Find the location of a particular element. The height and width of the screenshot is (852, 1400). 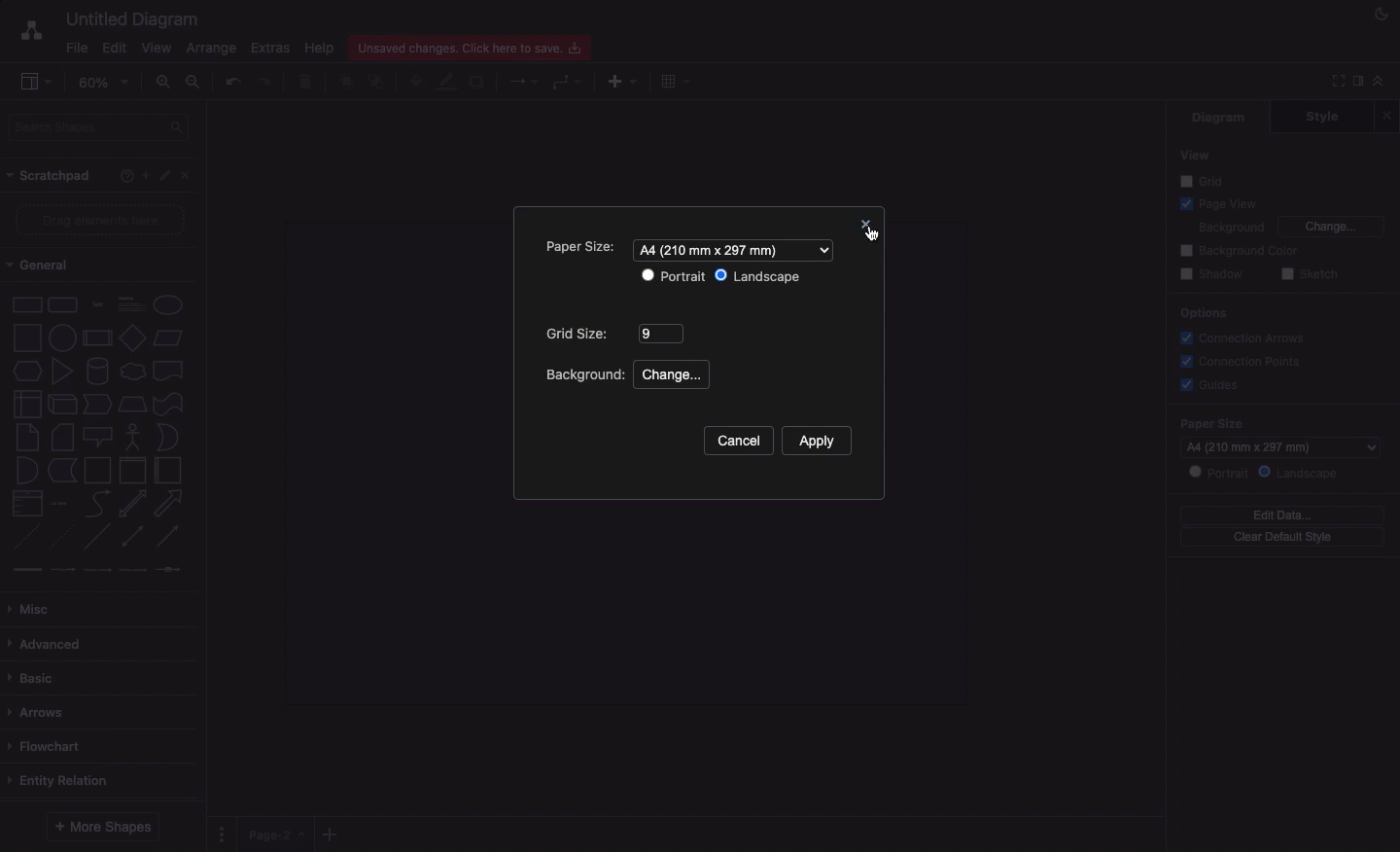

Entity relation is located at coordinates (67, 780).